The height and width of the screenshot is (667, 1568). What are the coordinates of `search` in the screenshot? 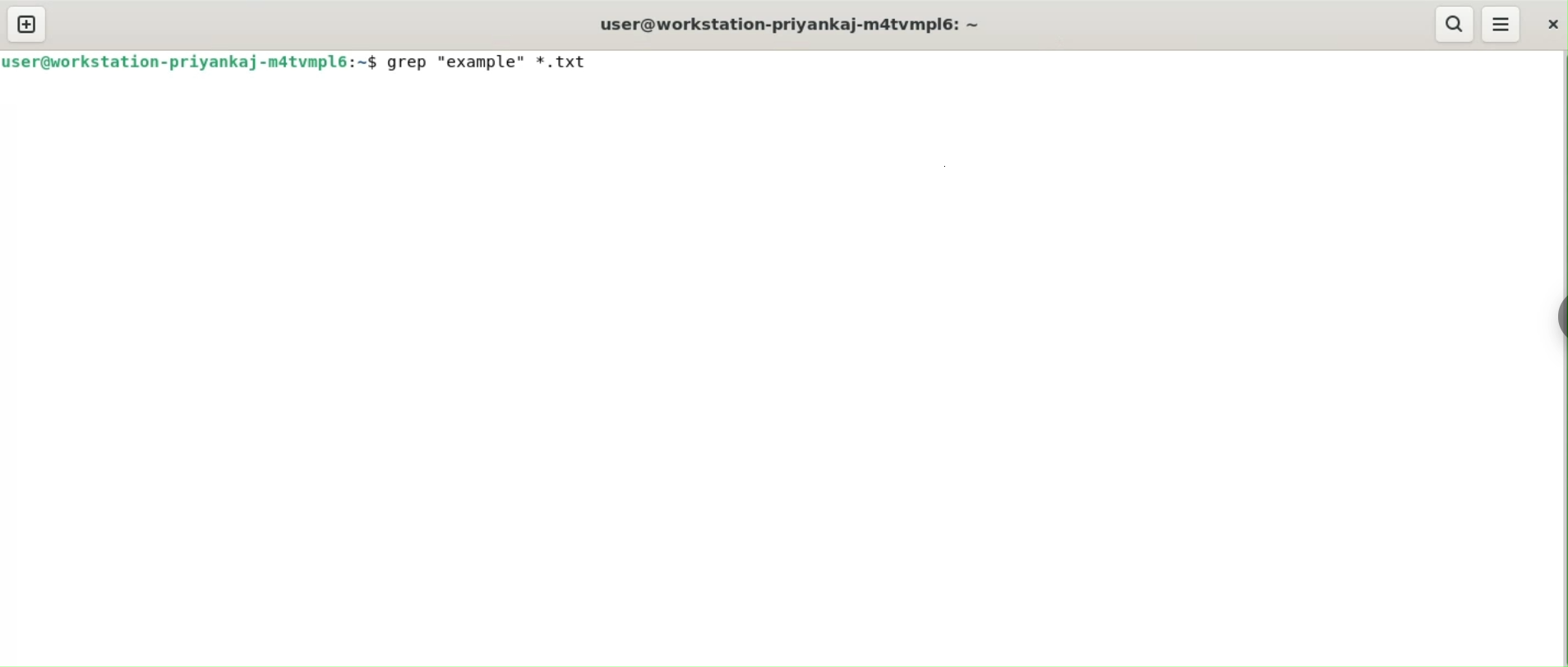 It's located at (1455, 23).